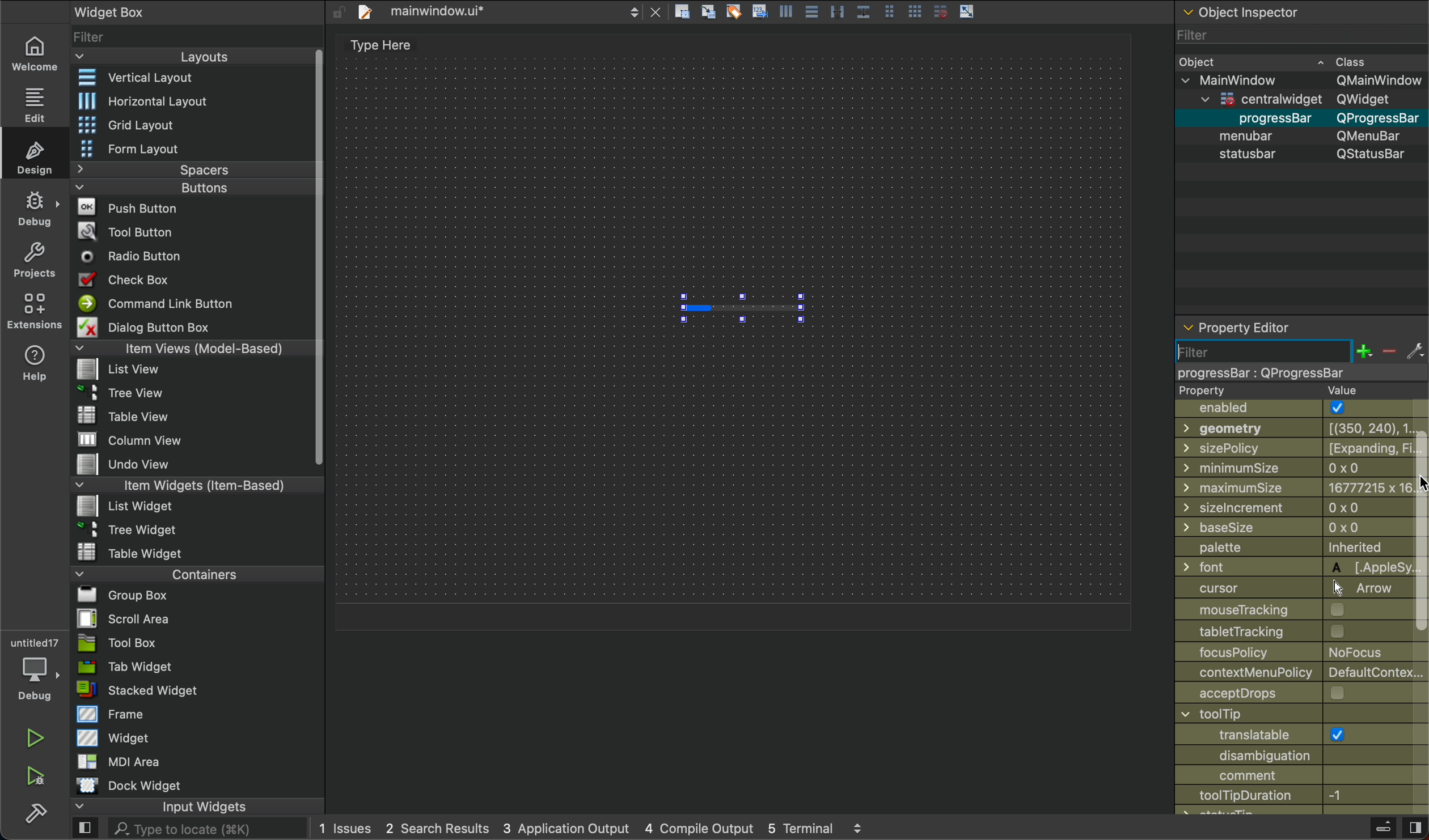 Image resolution: width=1429 pixels, height=840 pixels. What do you see at coordinates (1283, 589) in the screenshot?
I see `cursor` at bounding box center [1283, 589].